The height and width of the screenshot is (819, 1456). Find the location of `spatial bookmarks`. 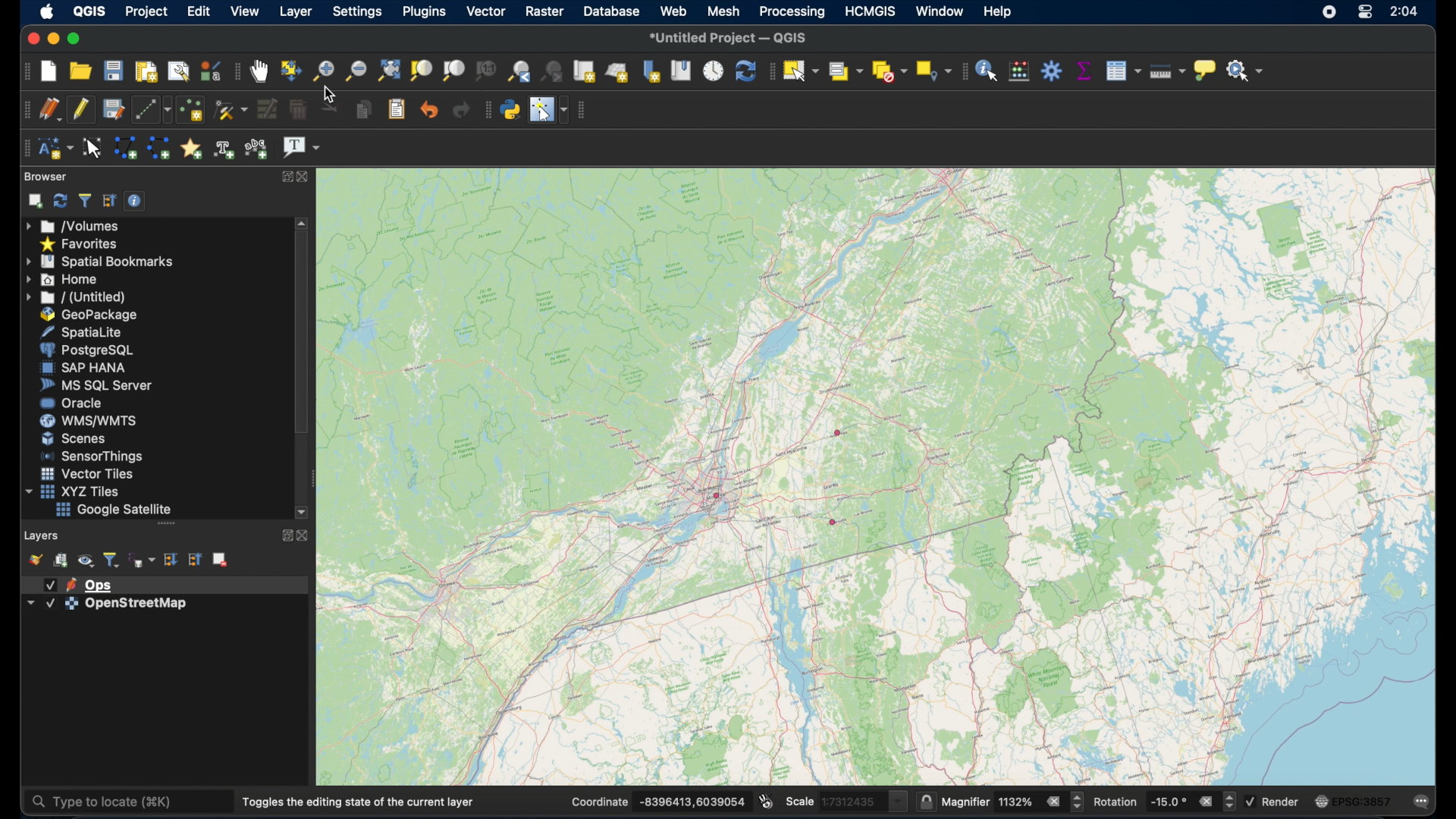

spatial bookmarks is located at coordinates (99, 262).